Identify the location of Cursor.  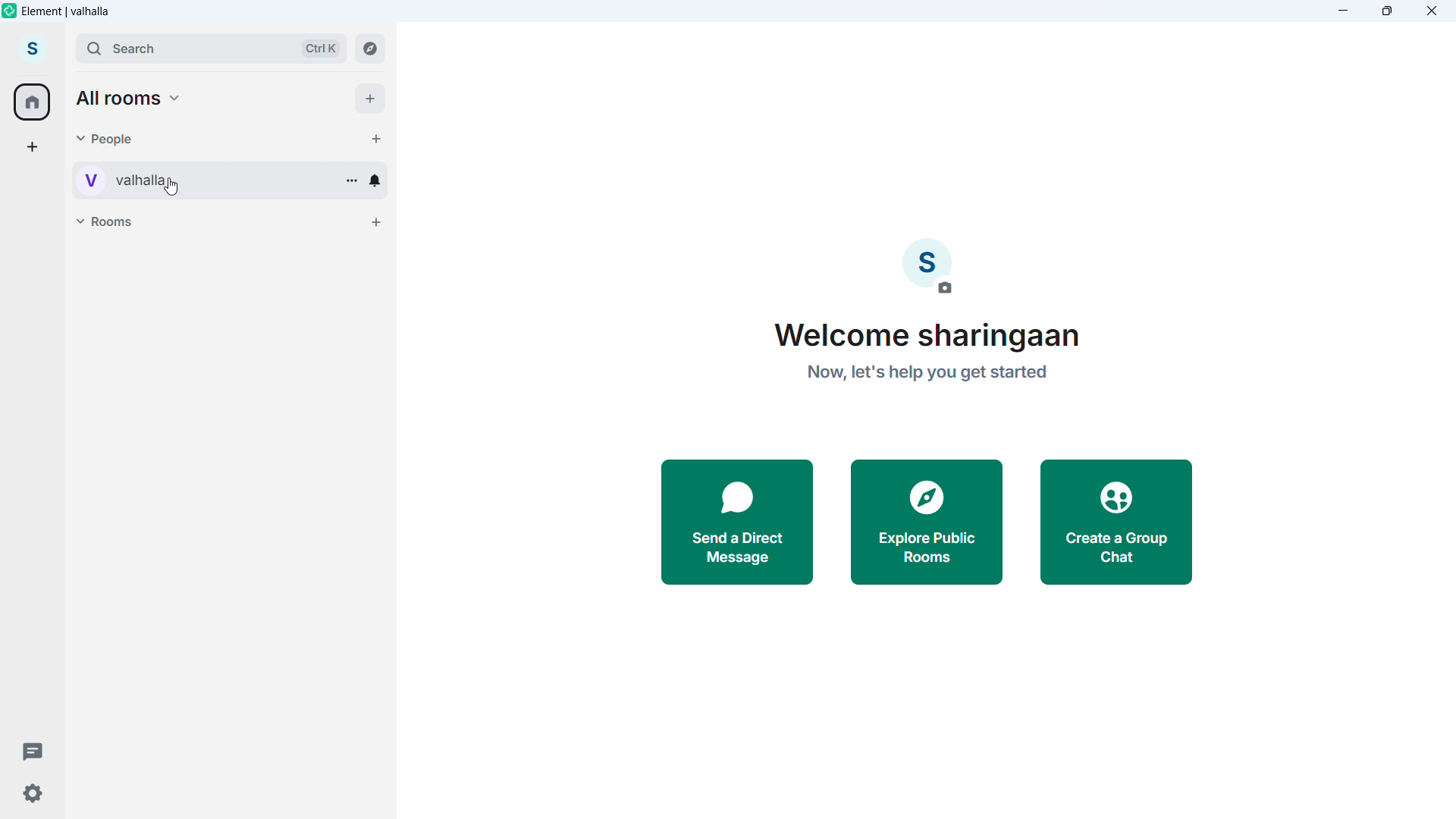
(171, 187).